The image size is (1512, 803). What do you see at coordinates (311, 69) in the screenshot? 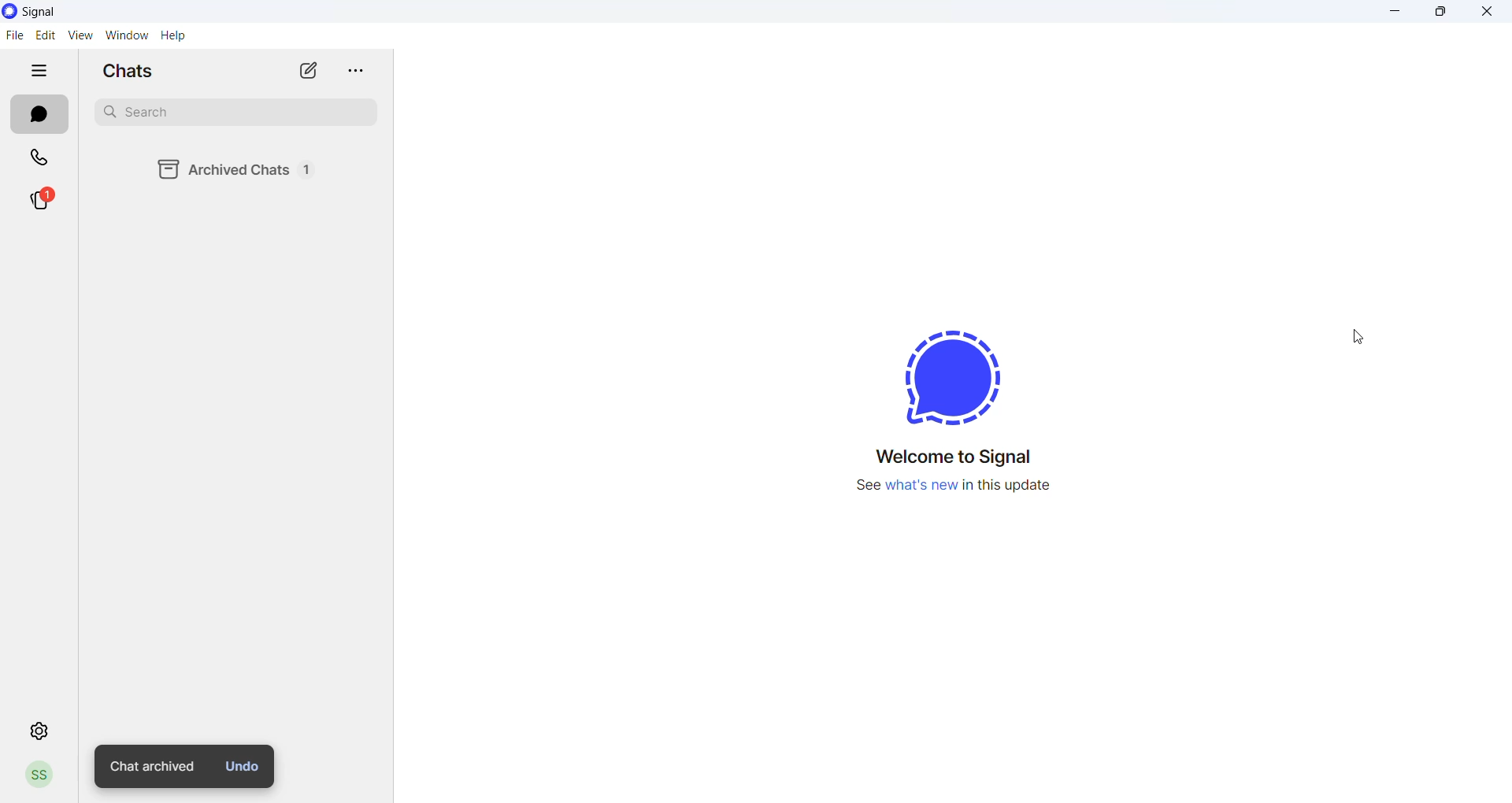
I see `new chat` at bounding box center [311, 69].